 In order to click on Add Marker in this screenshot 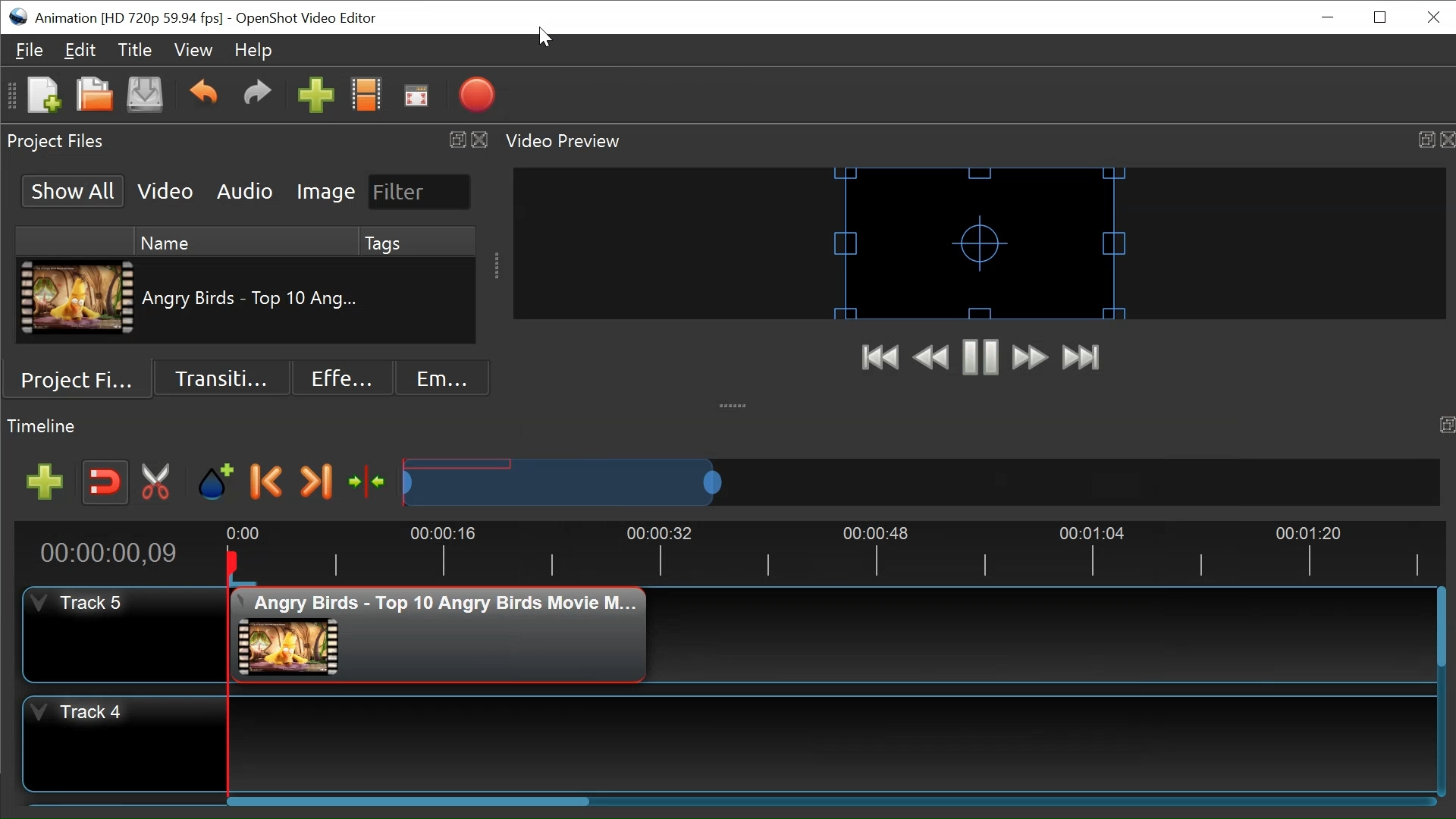, I will do `click(218, 483)`.